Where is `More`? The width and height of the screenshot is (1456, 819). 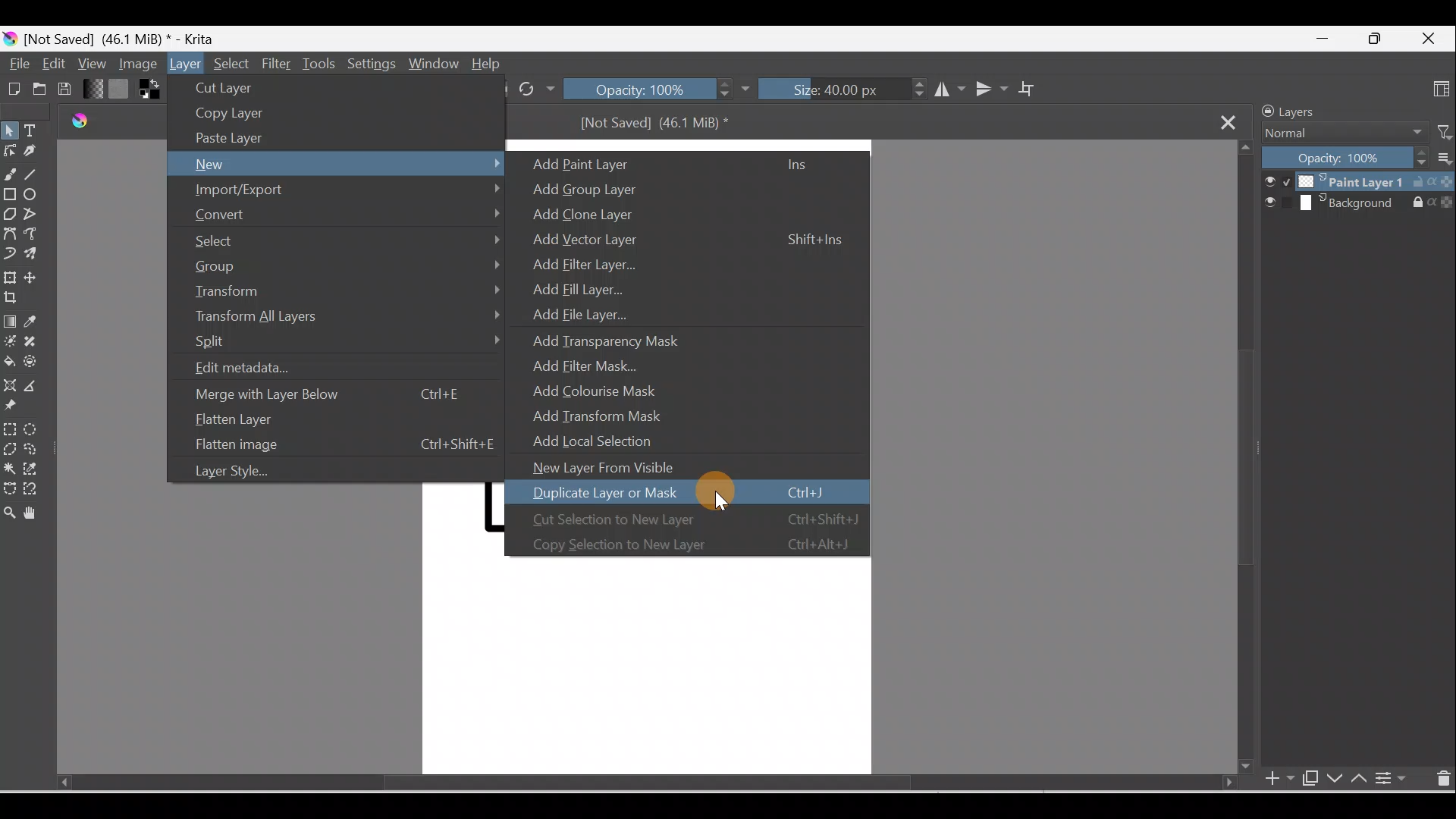 More is located at coordinates (1442, 161).